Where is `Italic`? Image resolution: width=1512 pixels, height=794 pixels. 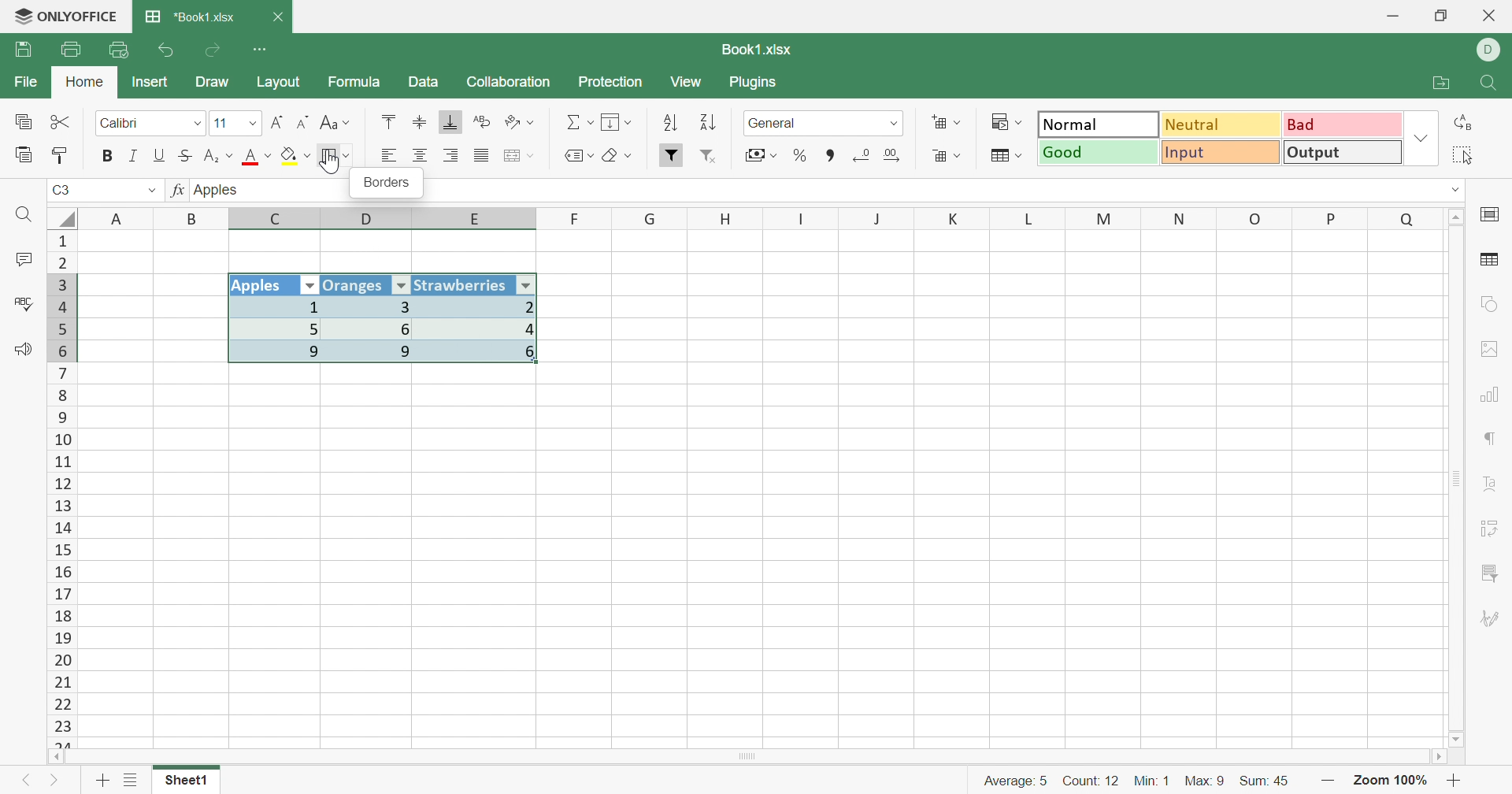
Italic is located at coordinates (132, 156).